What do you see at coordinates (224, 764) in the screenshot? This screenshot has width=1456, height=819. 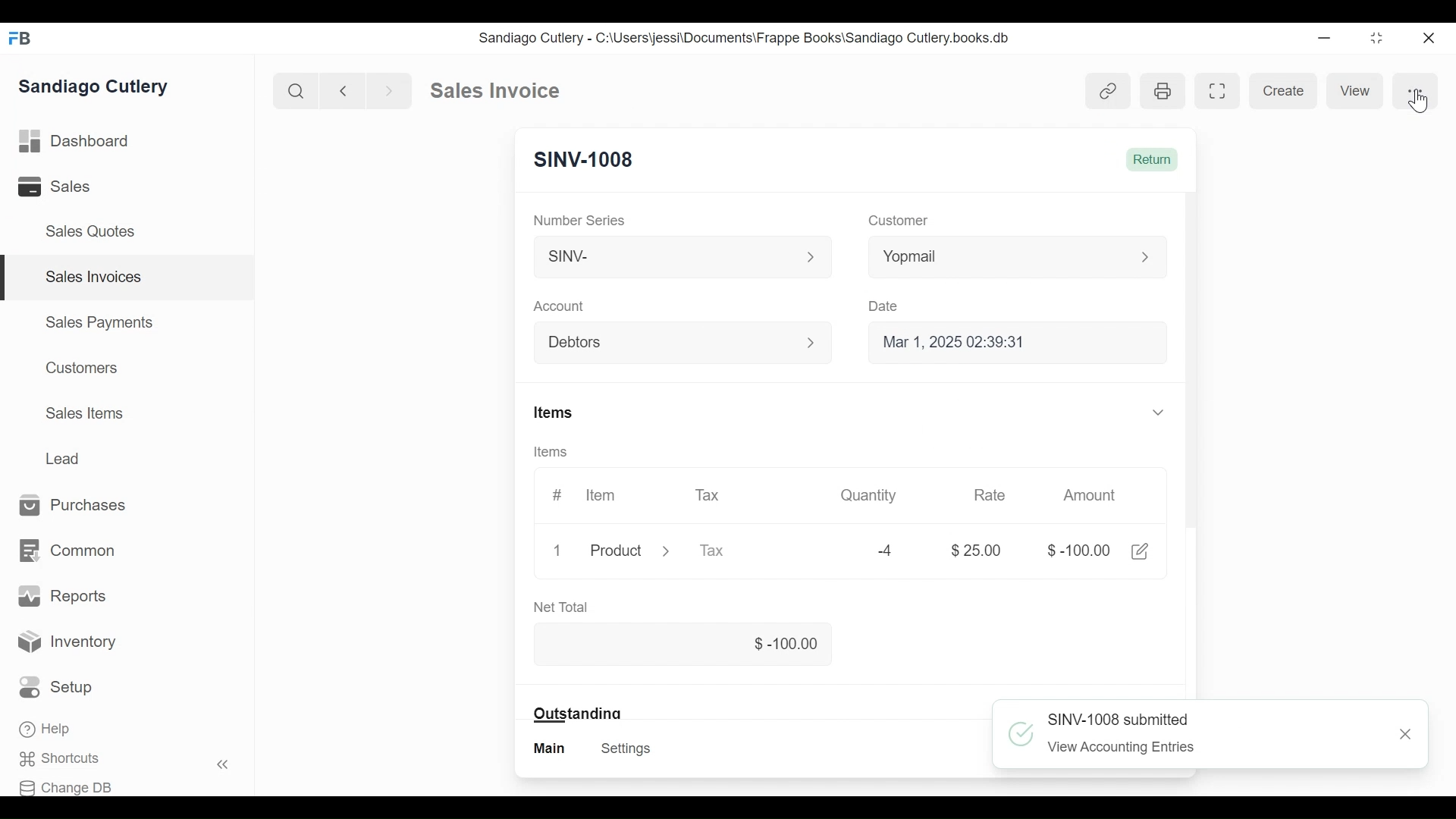 I see `Hide sidebar` at bounding box center [224, 764].